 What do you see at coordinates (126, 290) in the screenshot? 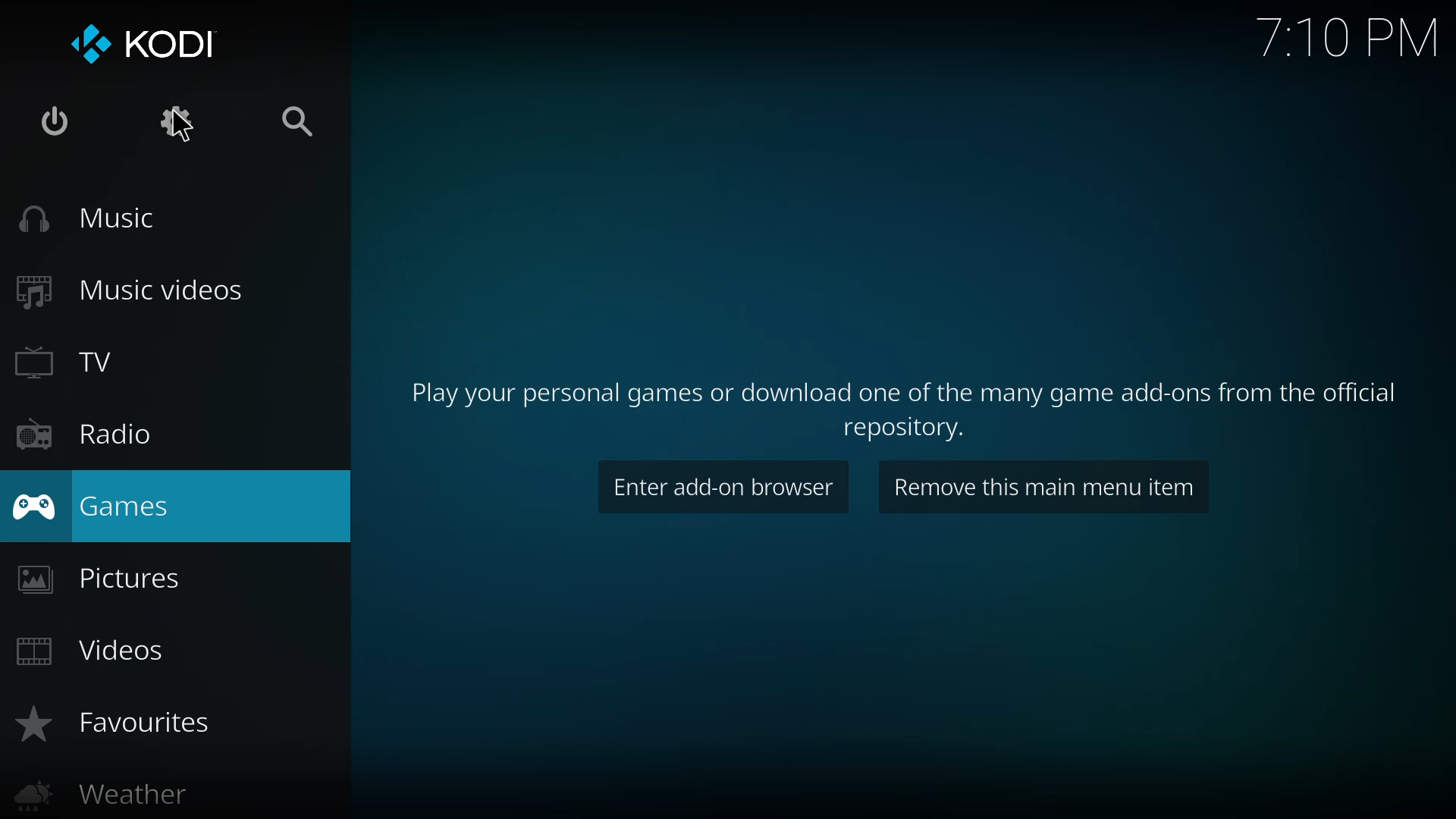
I see `music videos` at bounding box center [126, 290].